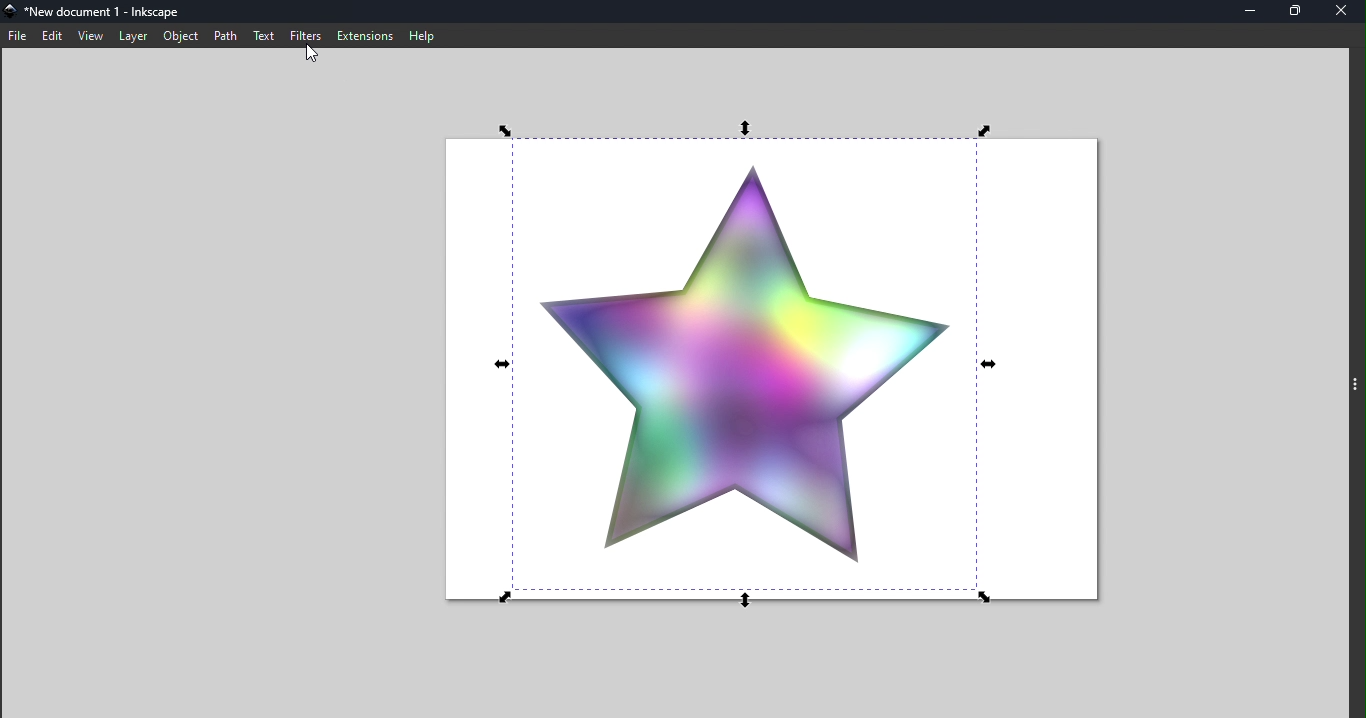  What do you see at coordinates (180, 36) in the screenshot?
I see `Object` at bounding box center [180, 36].